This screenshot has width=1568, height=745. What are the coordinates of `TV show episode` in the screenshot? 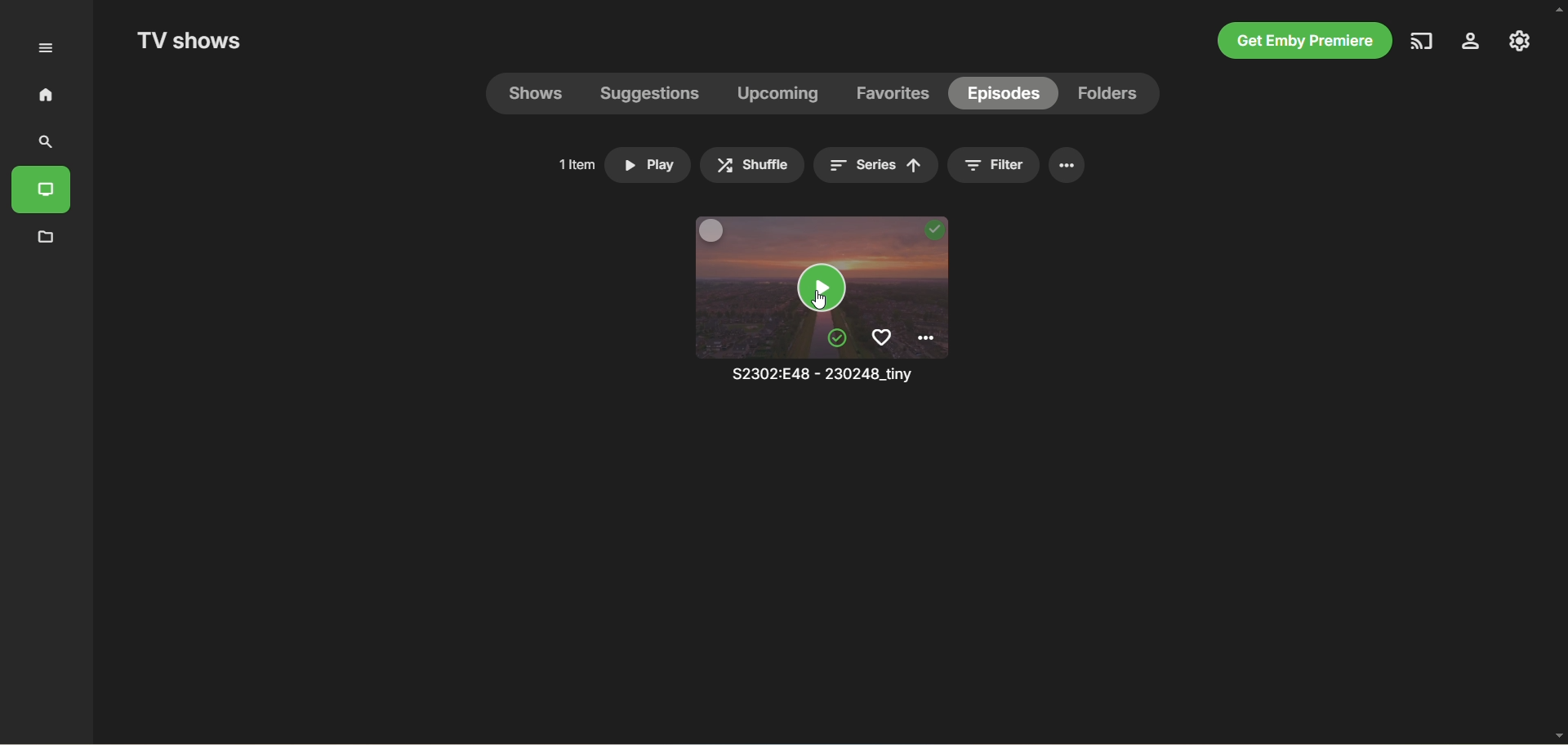 It's located at (742, 315).